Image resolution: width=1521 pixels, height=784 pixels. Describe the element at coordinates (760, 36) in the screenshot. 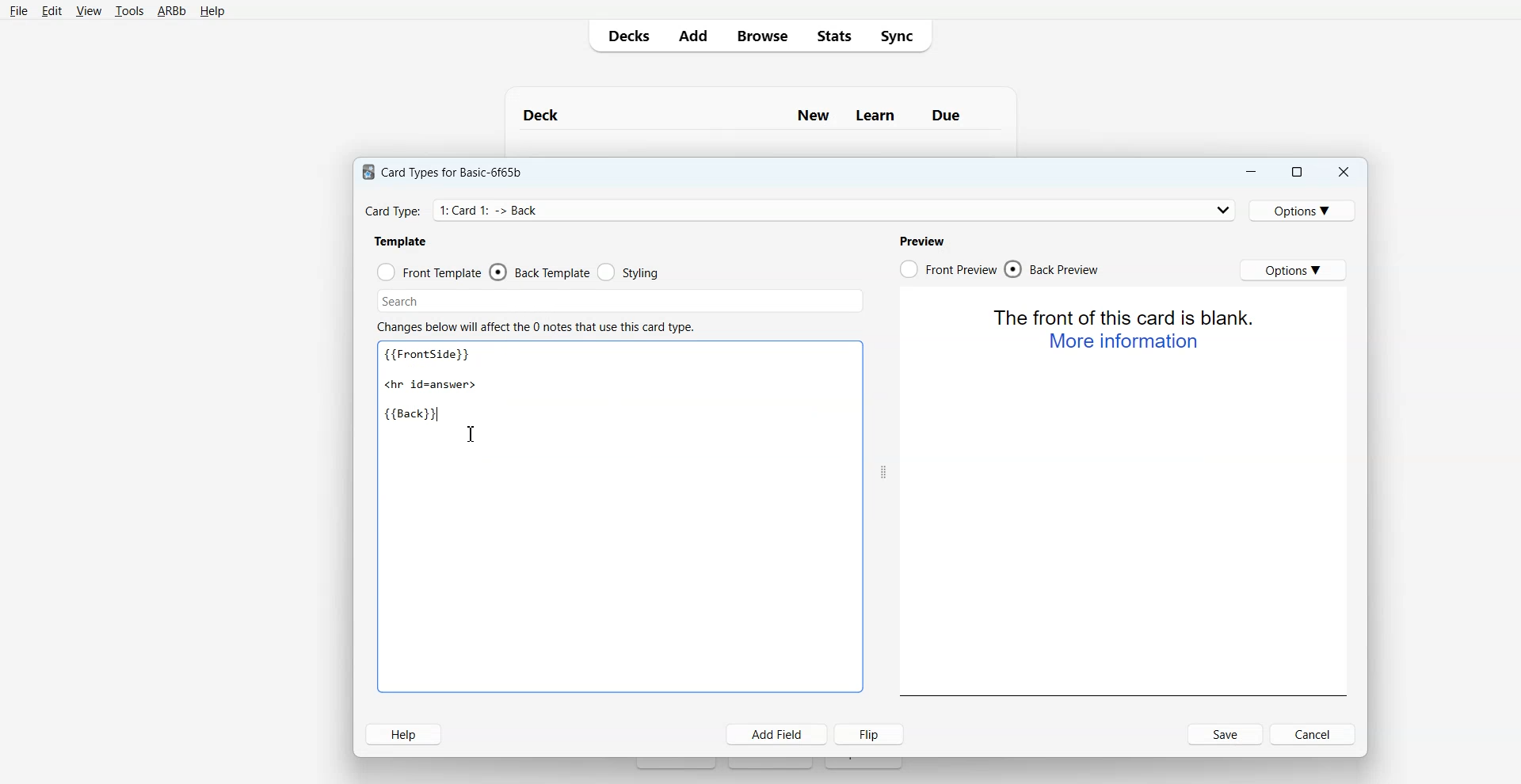

I see `Browse` at that location.